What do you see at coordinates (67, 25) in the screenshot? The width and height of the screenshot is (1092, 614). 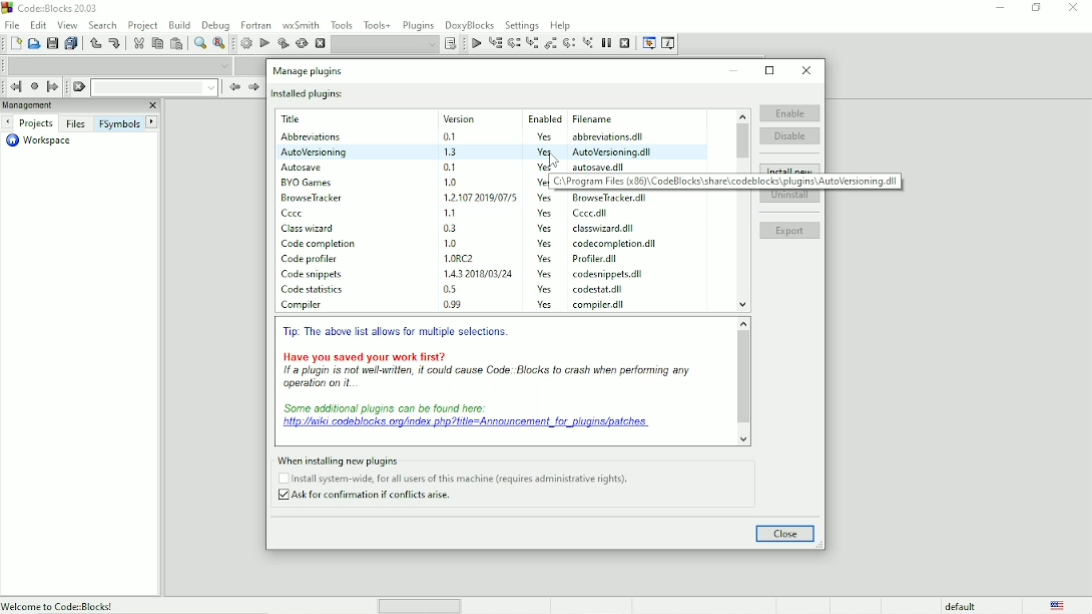 I see `View` at bounding box center [67, 25].